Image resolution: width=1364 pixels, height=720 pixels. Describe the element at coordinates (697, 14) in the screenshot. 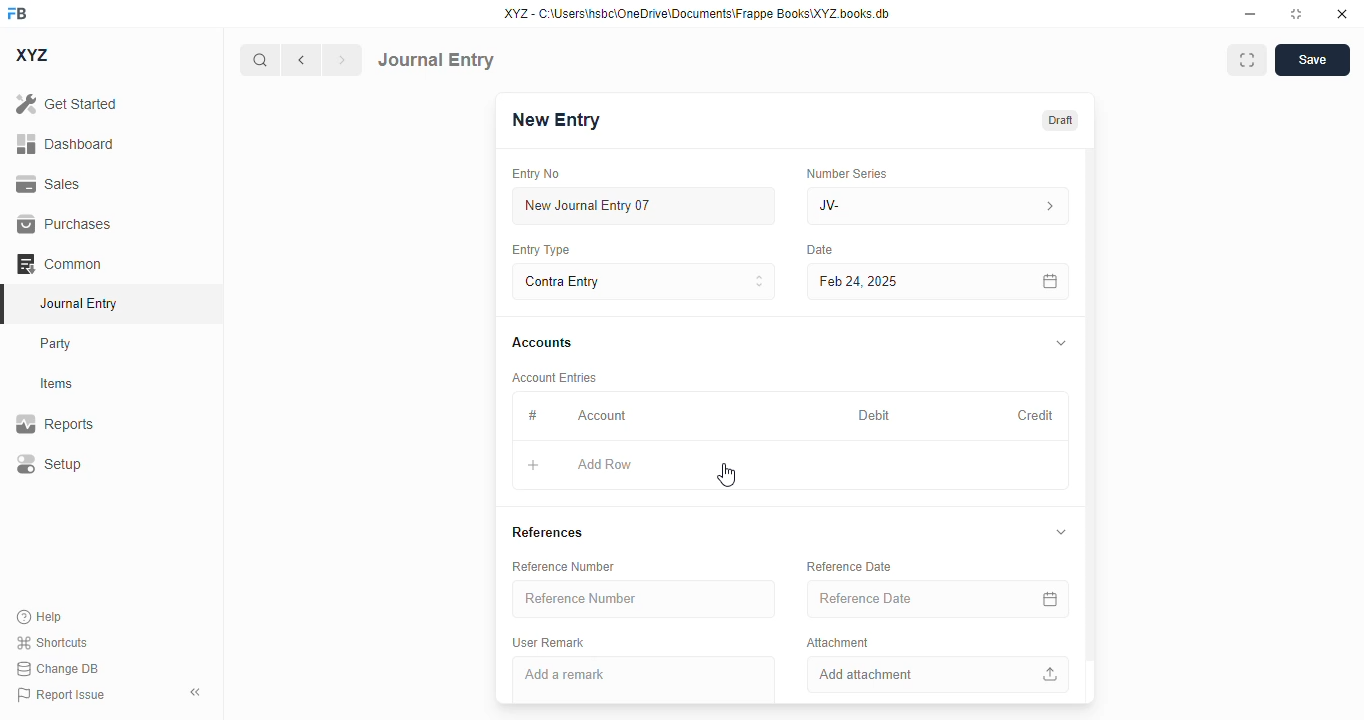

I see `XYZ - C:\Users\hsbc\OneDrive\Documents\Frappe Books\XYZ books. db` at that location.